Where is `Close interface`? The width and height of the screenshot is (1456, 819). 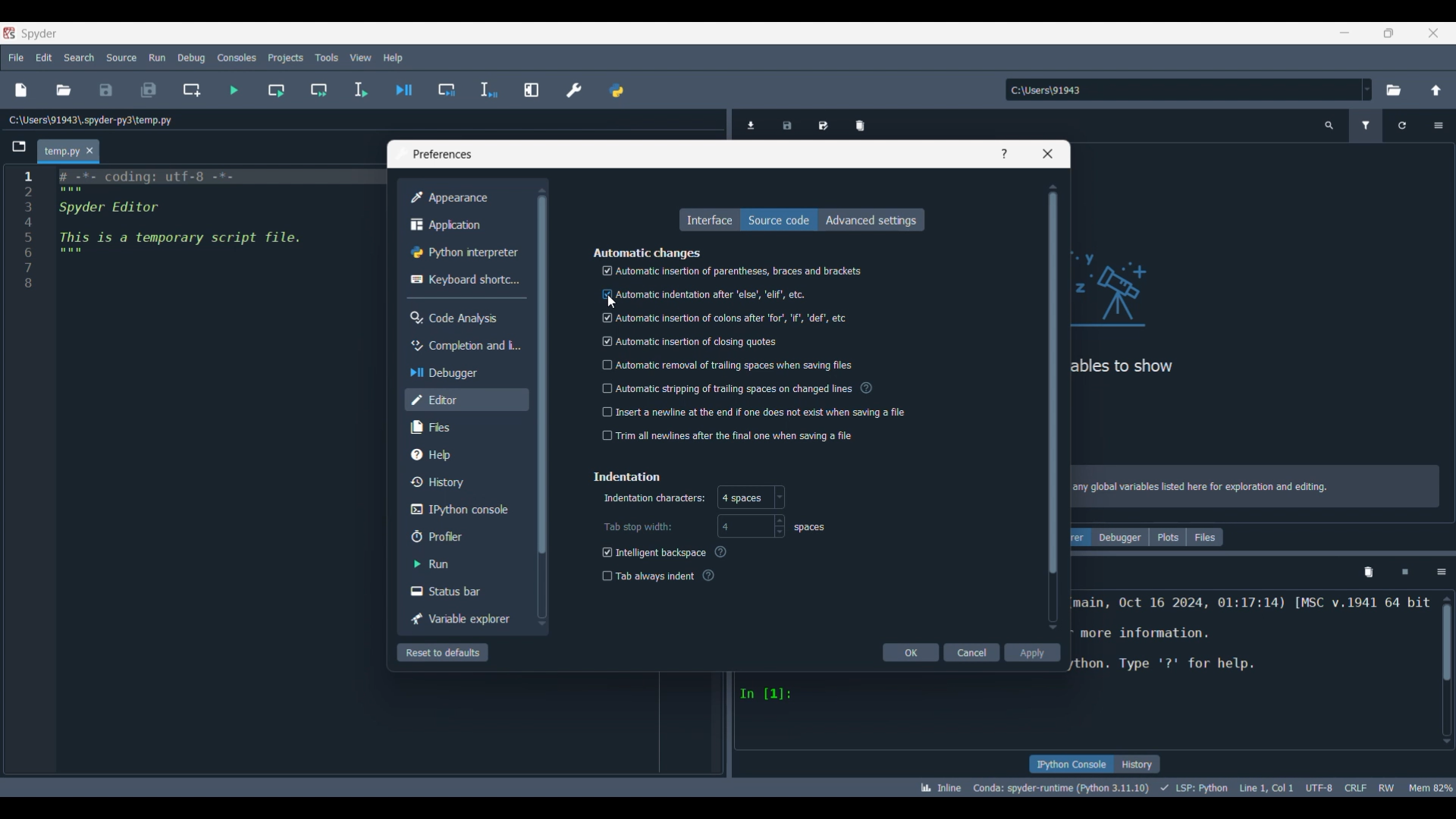 Close interface is located at coordinates (1433, 33).